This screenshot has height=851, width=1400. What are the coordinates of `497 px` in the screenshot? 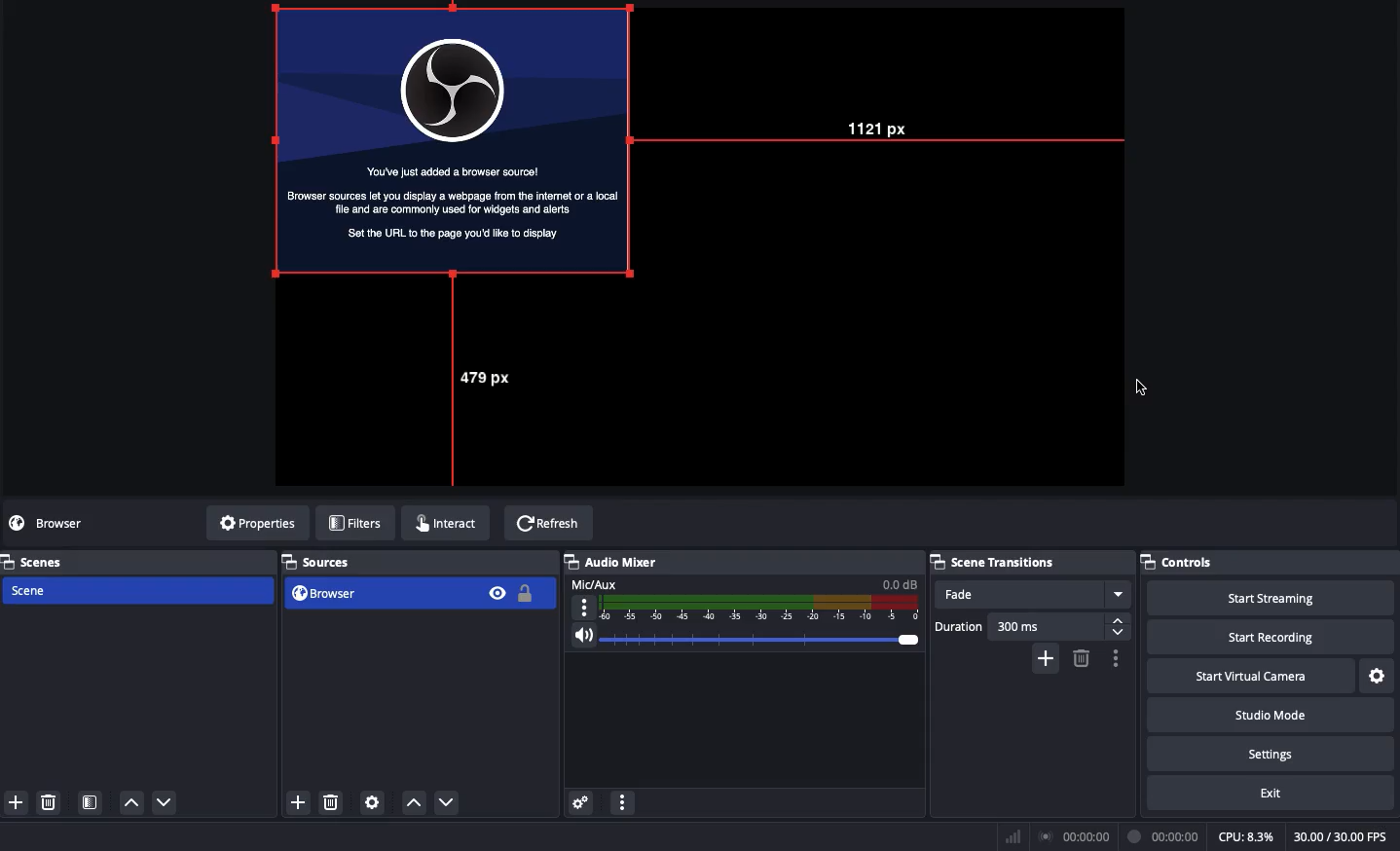 It's located at (476, 388).